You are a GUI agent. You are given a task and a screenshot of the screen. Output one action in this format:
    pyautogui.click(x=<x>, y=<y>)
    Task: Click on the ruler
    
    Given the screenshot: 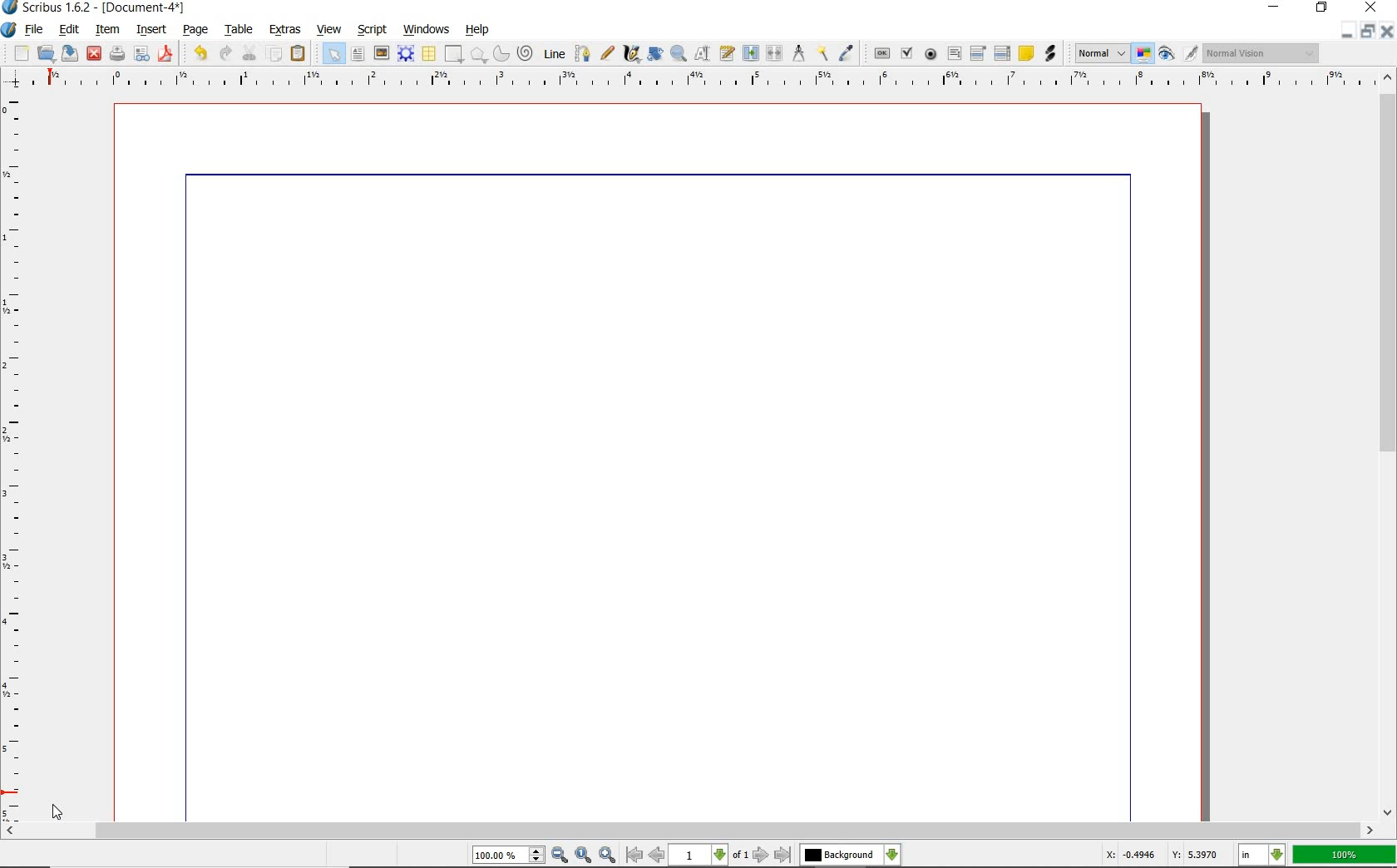 What is the action you would take?
    pyautogui.click(x=15, y=454)
    